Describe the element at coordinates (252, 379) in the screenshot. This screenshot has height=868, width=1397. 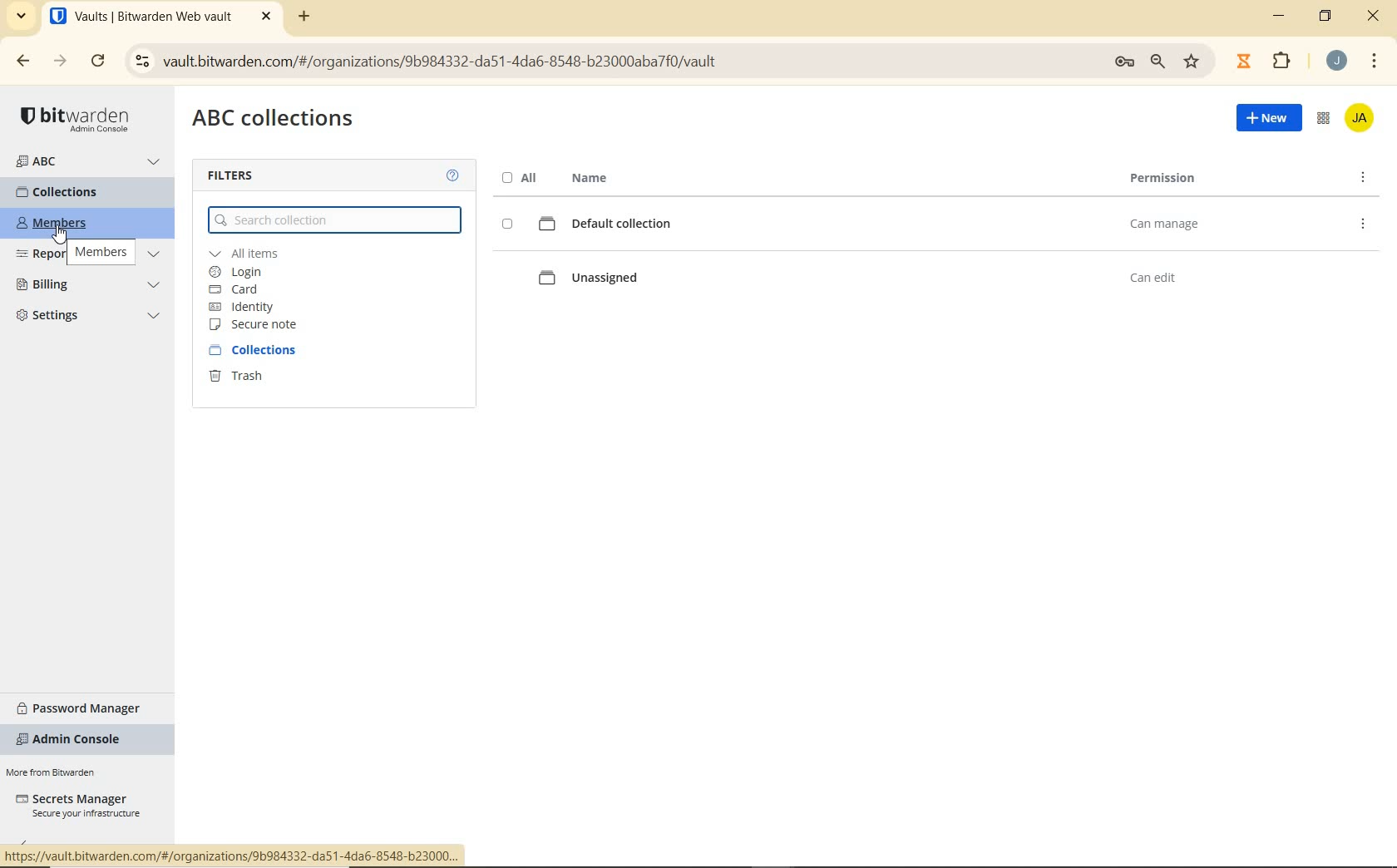
I see `TRASH` at that location.